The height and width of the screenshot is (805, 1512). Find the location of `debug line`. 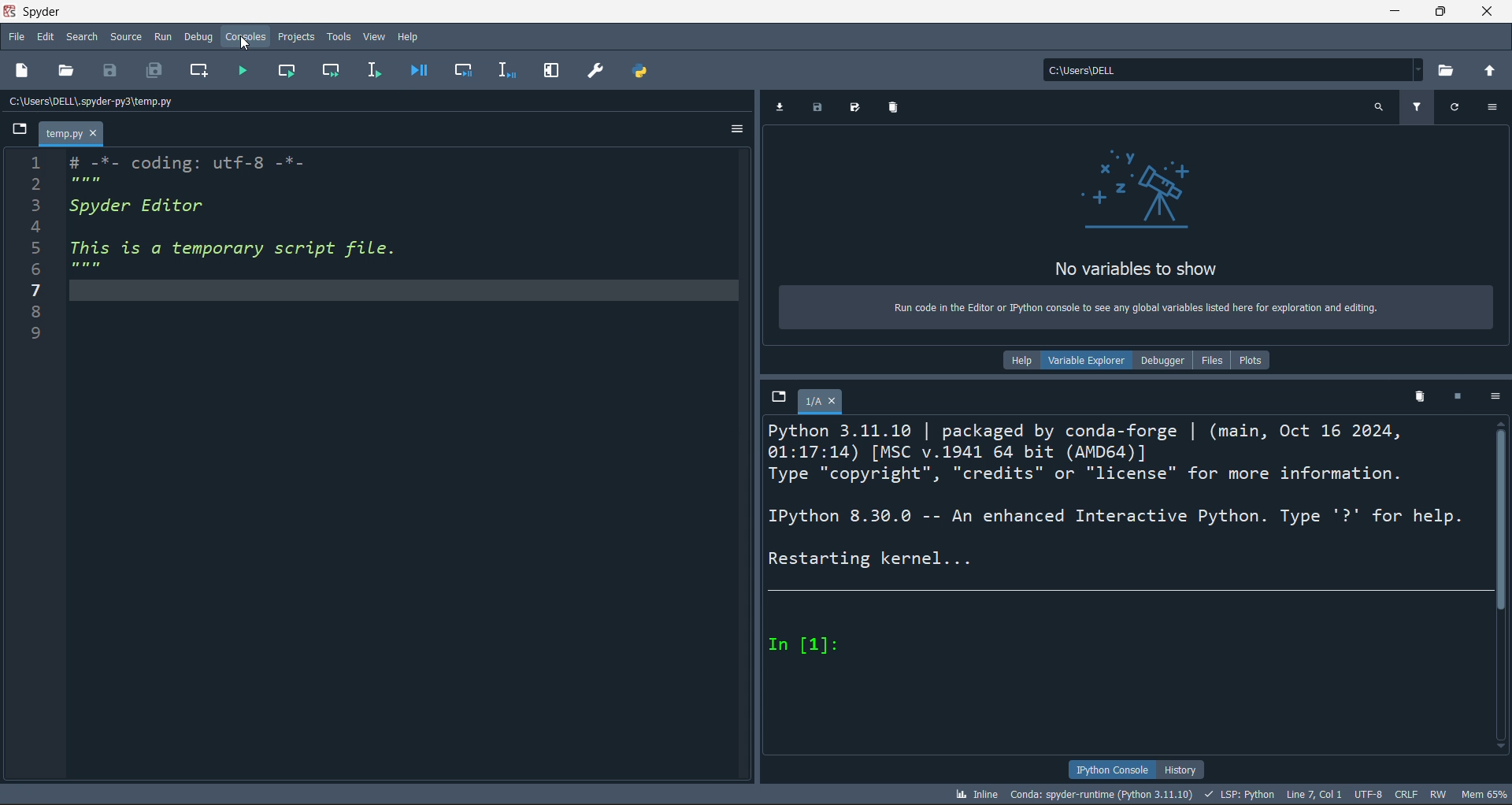

debug line is located at coordinates (510, 70).